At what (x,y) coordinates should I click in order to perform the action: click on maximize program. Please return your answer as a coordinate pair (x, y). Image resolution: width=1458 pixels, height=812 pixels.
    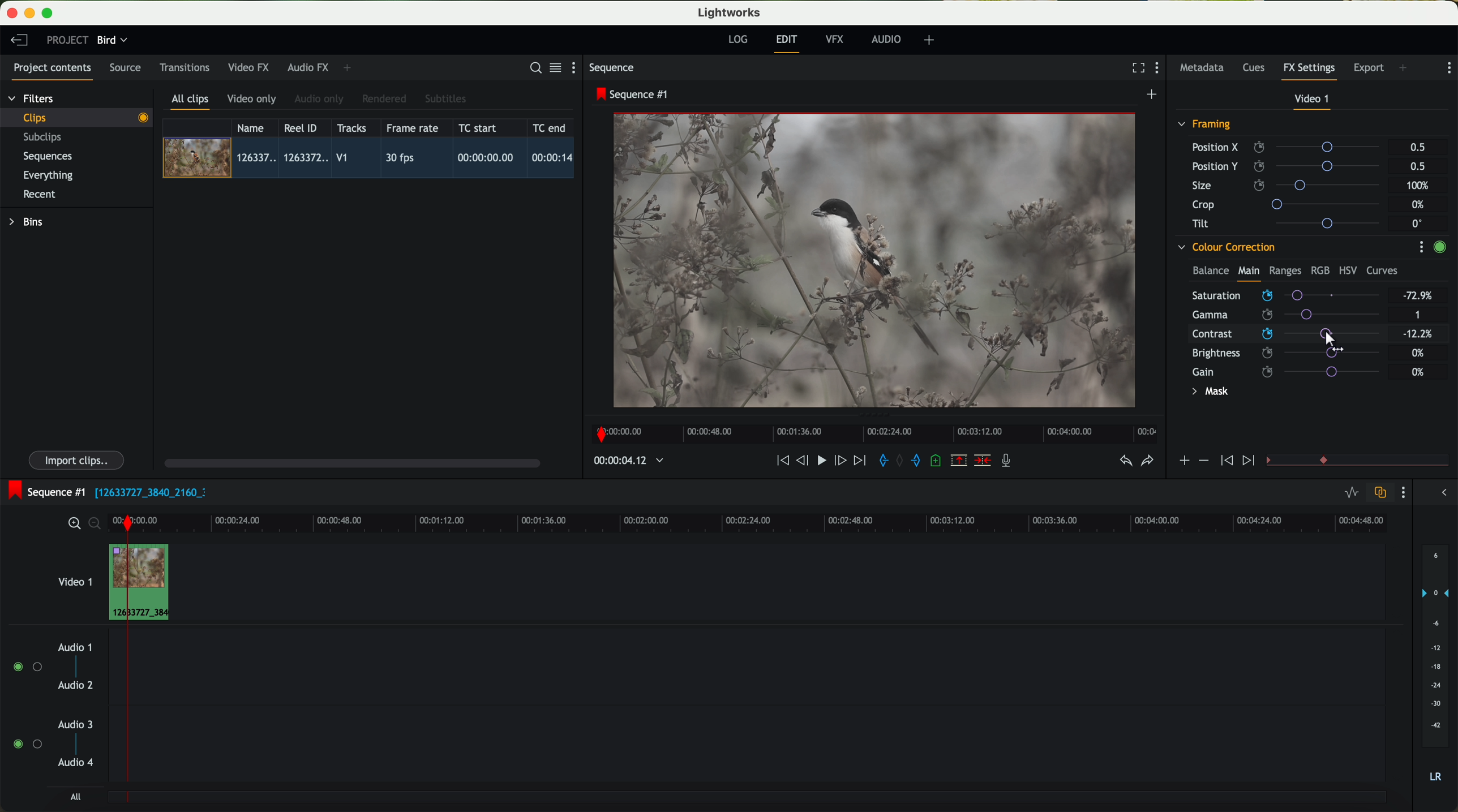
    Looking at the image, I should click on (49, 14).